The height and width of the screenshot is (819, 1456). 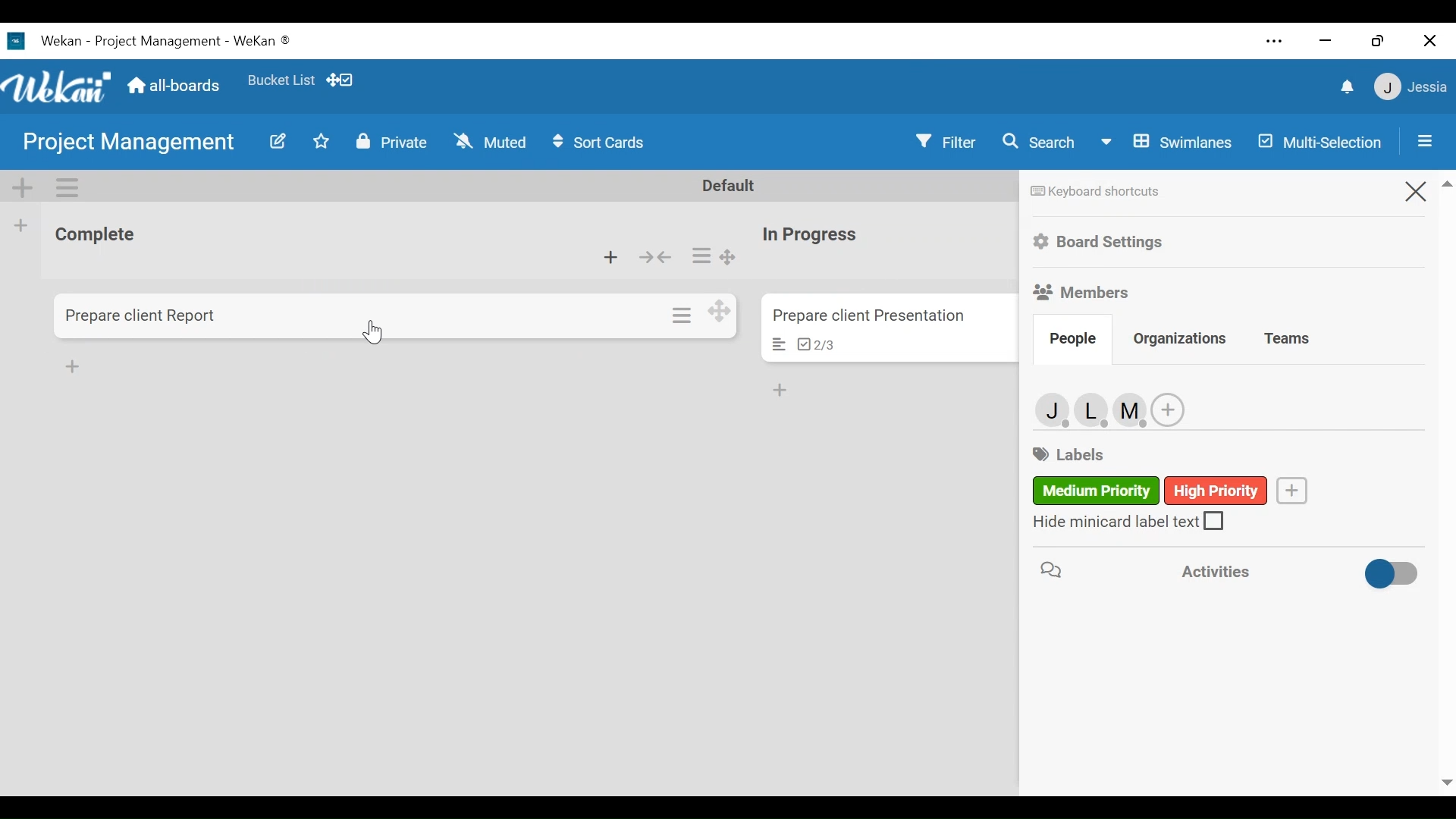 I want to click on Members, so click(x=1086, y=291).